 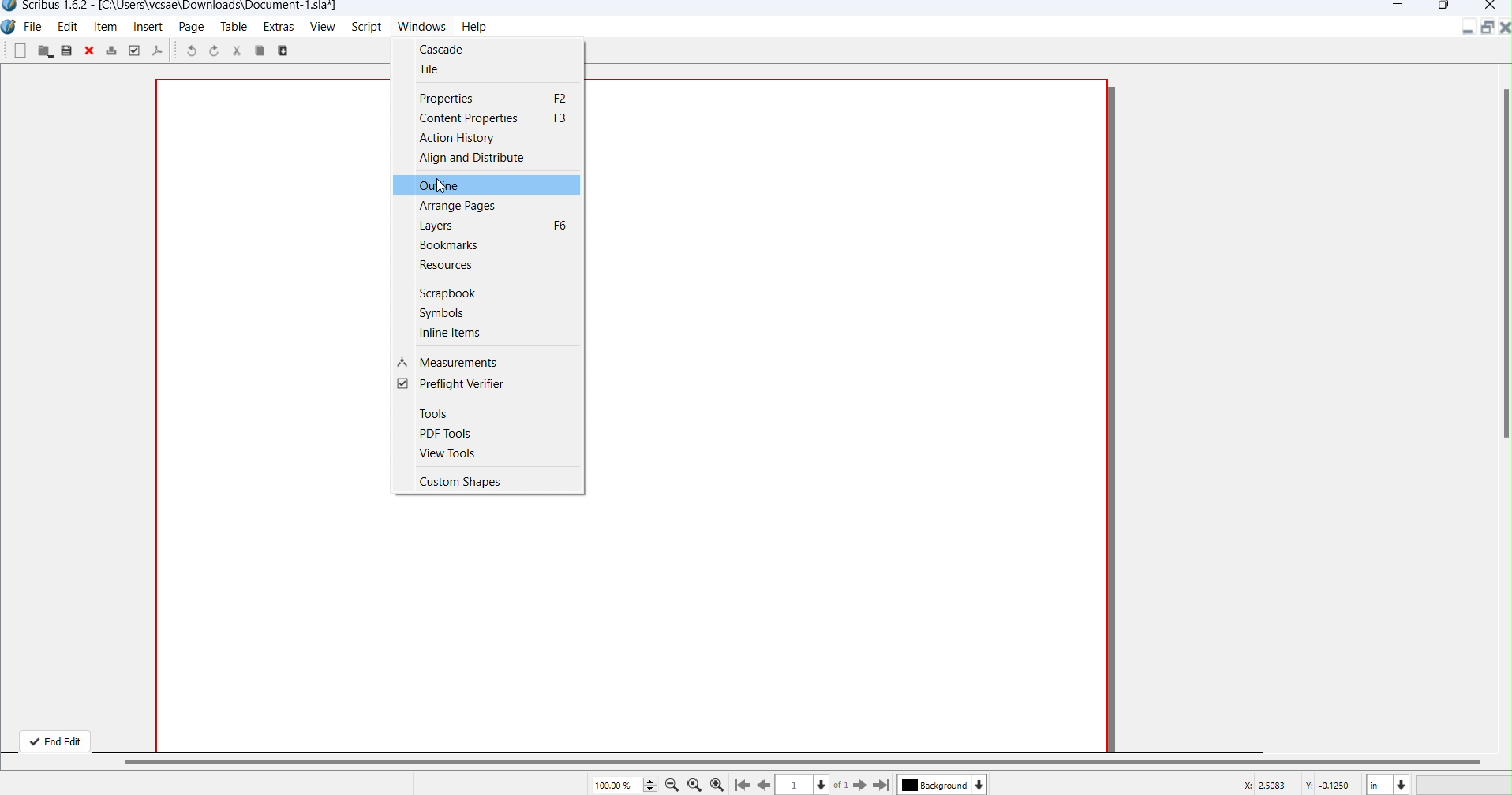 What do you see at coordinates (981, 784) in the screenshot?
I see `down` at bounding box center [981, 784].